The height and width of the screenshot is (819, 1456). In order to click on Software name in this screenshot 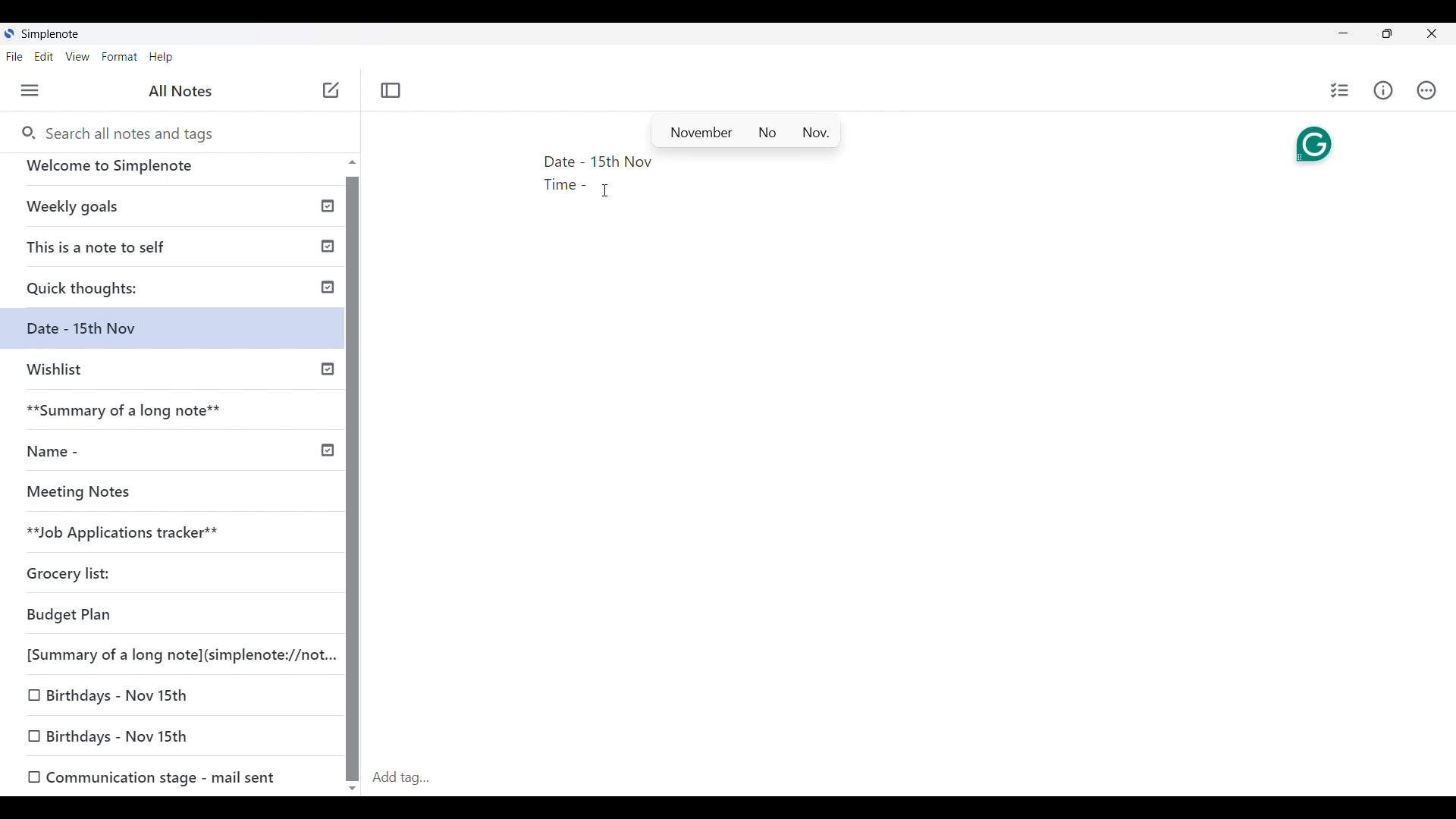, I will do `click(50, 34)`.